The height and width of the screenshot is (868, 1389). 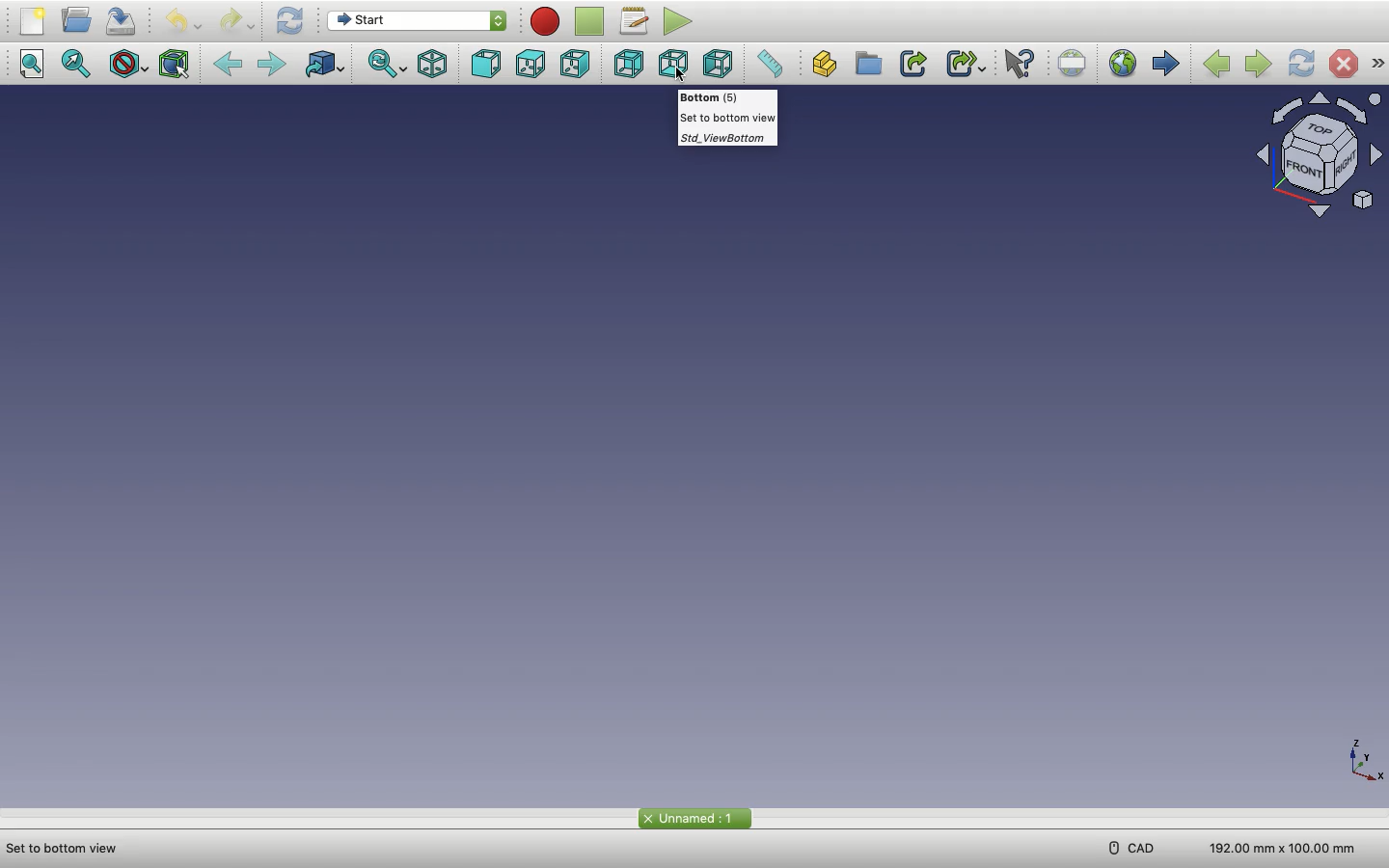 I want to click on Guide text, so click(x=725, y=121).